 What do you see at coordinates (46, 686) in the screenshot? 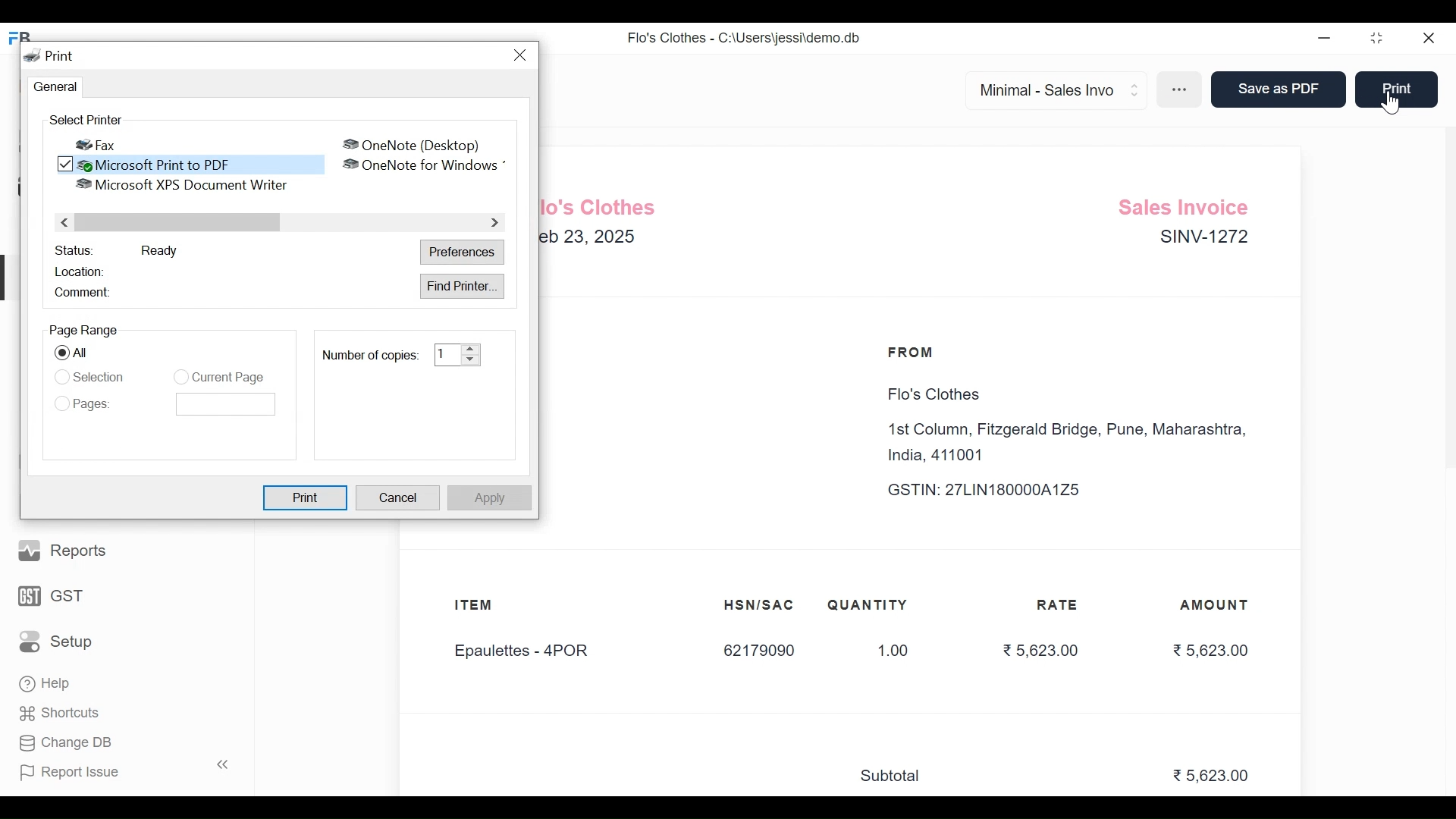
I see `Help` at bounding box center [46, 686].